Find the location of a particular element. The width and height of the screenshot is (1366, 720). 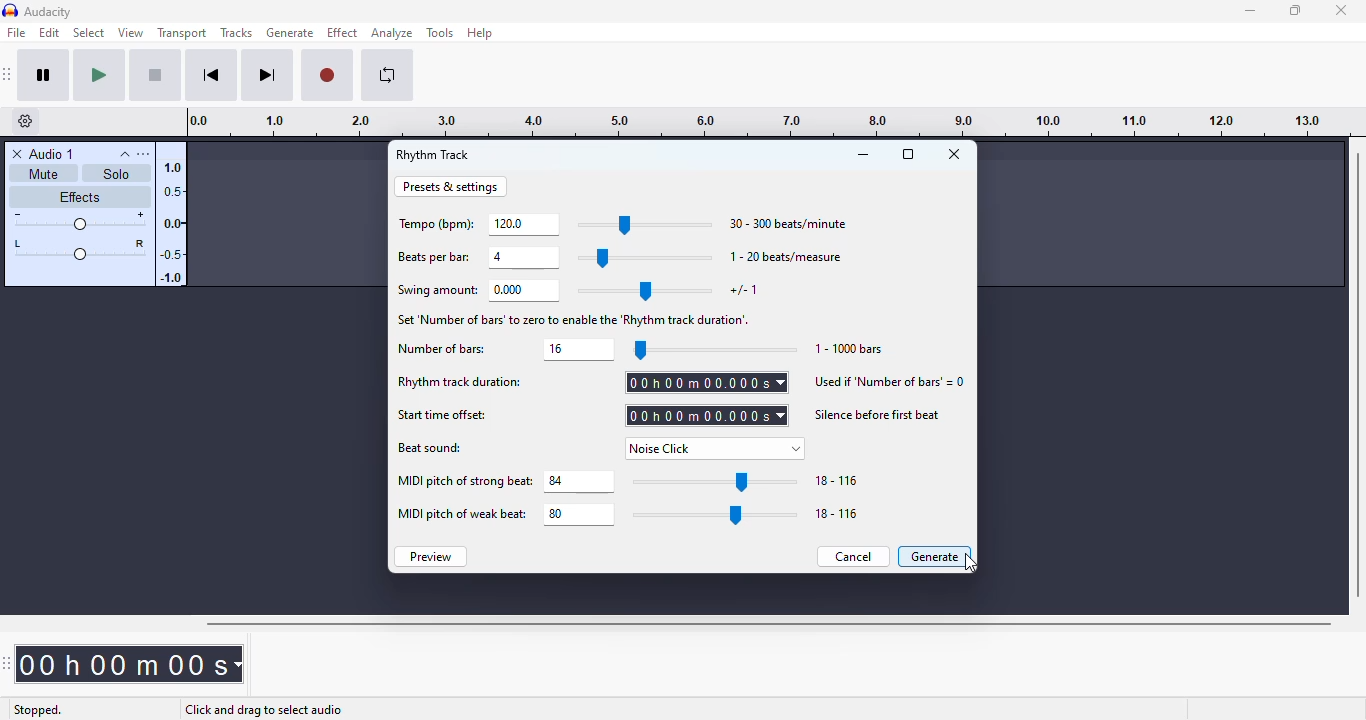

swing amount is located at coordinates (437, 291).